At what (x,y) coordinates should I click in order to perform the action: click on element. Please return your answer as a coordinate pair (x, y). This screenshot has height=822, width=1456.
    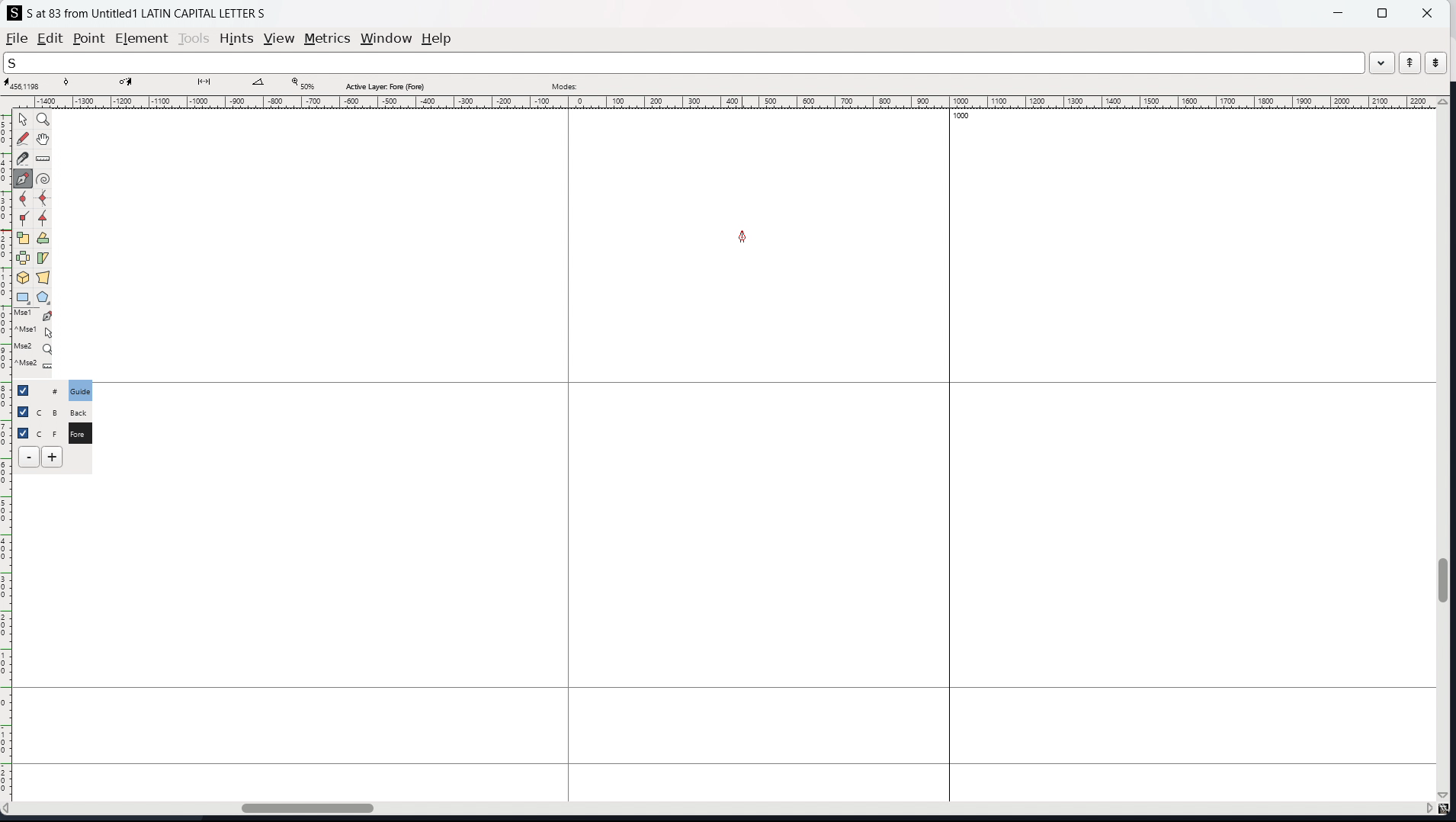
    Looking at the image, I should click on (143, 39).